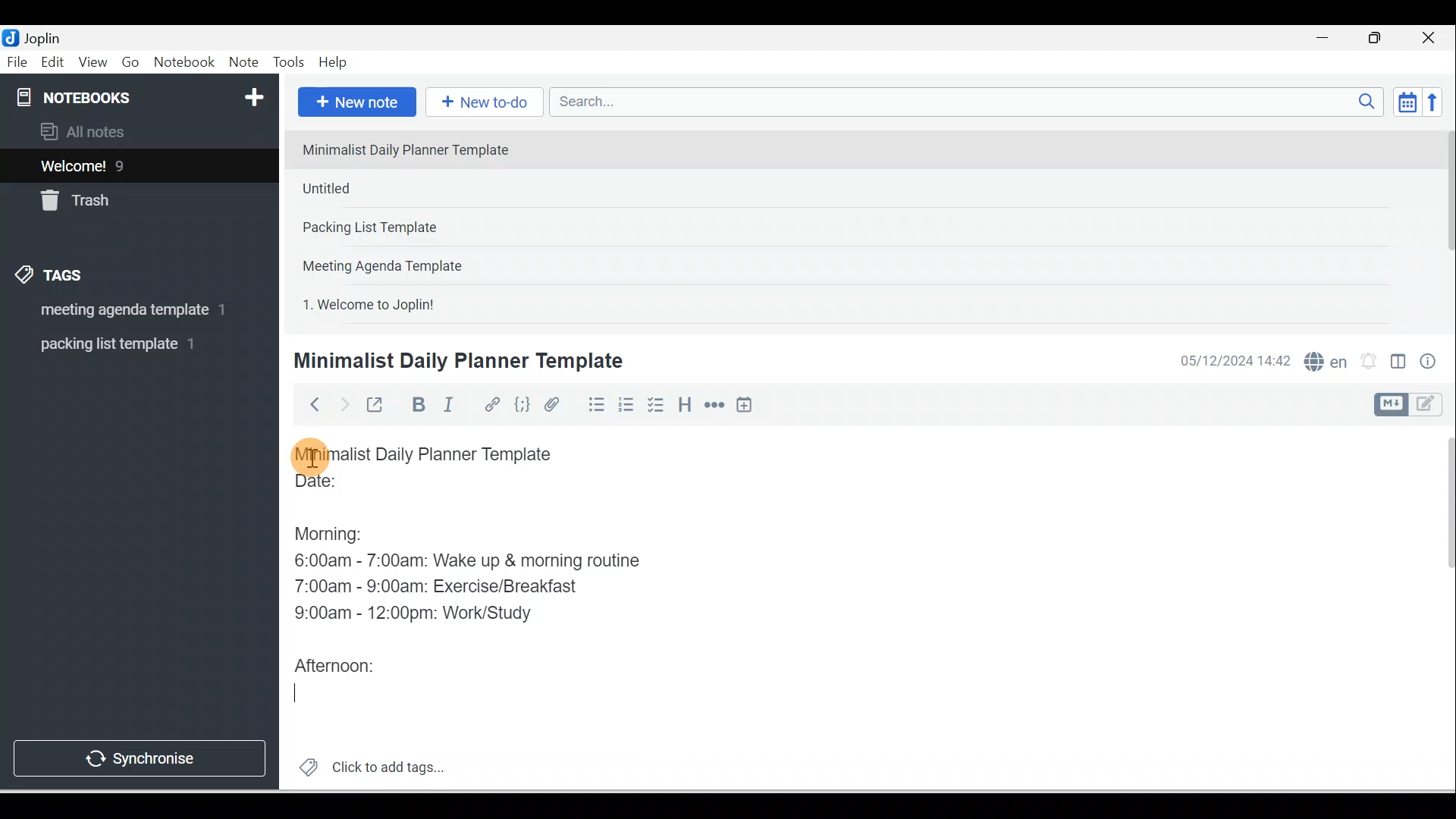  Describe the element at coordinates (1380, 39) in the screenshot. I see `Maximise` at that location.